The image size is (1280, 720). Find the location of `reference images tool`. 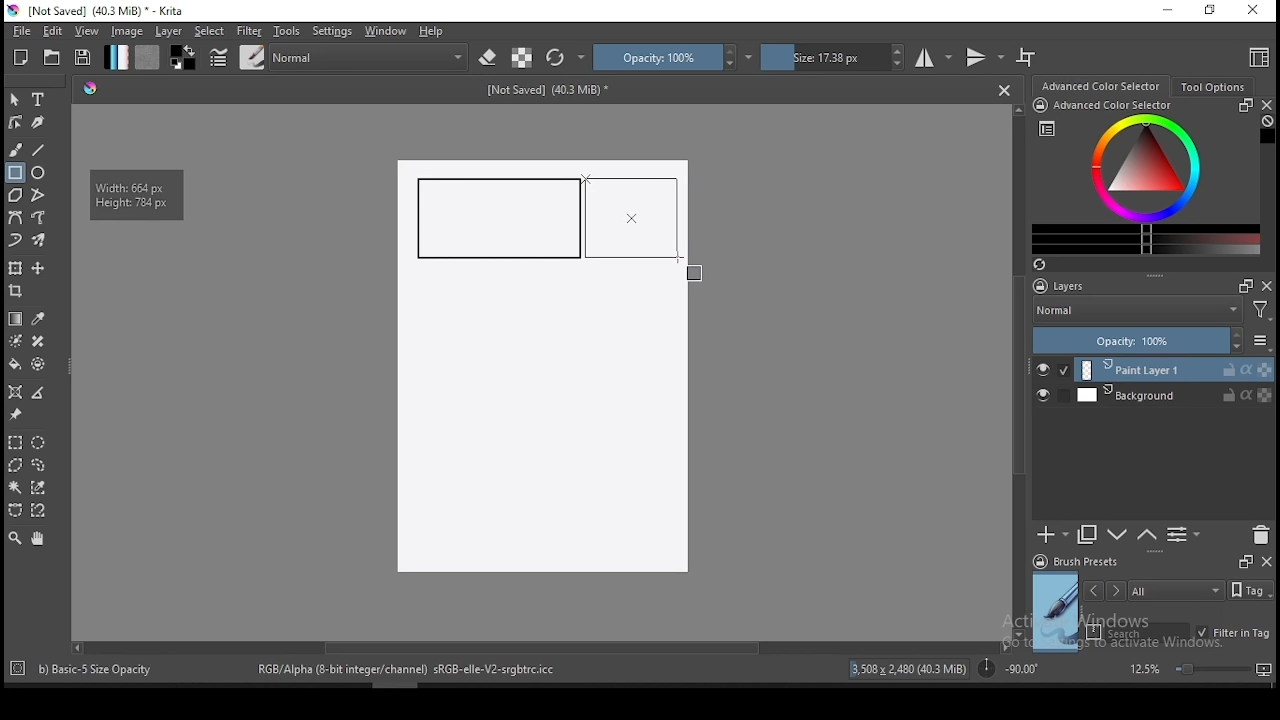

reference images tool is located at coordinates (14, 415).